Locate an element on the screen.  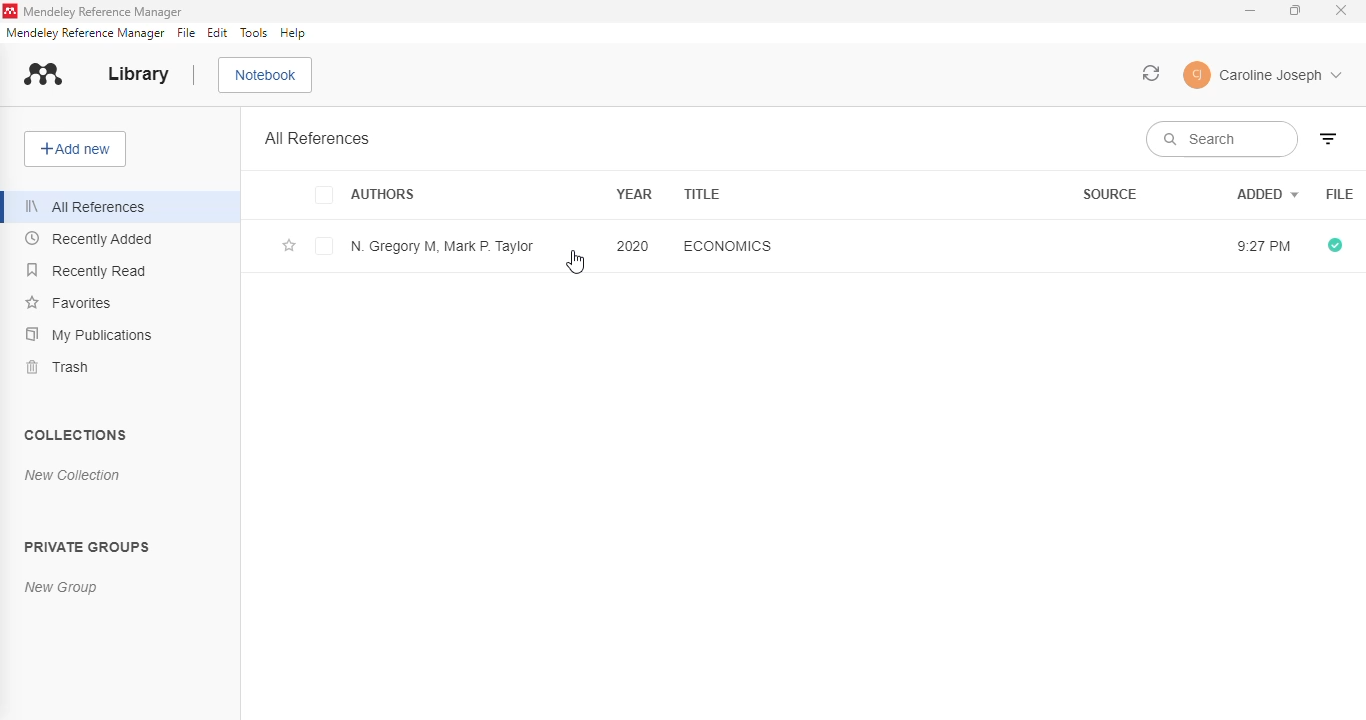
close is located at coordinates (1341, 10).